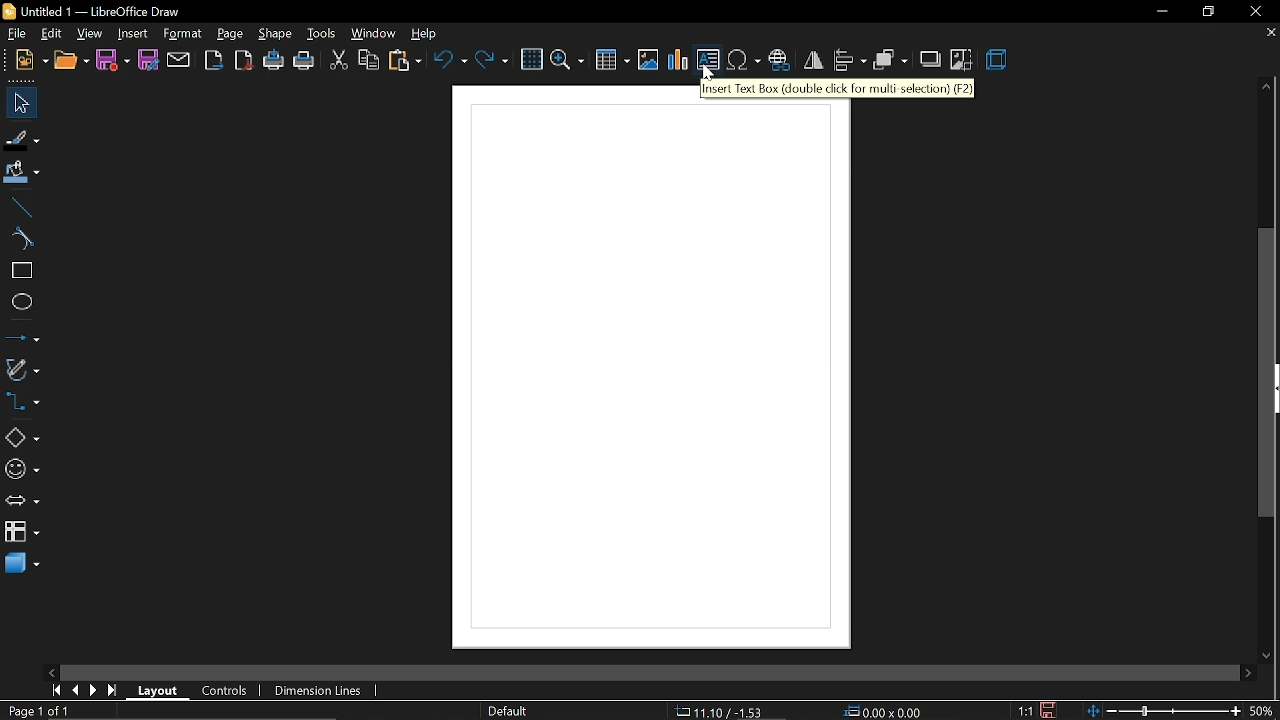 The height and width of the screenshot is (720, 1280). Describe the element at coordinates (54, 692) in the screenshot. I see `go to first page` at that location.